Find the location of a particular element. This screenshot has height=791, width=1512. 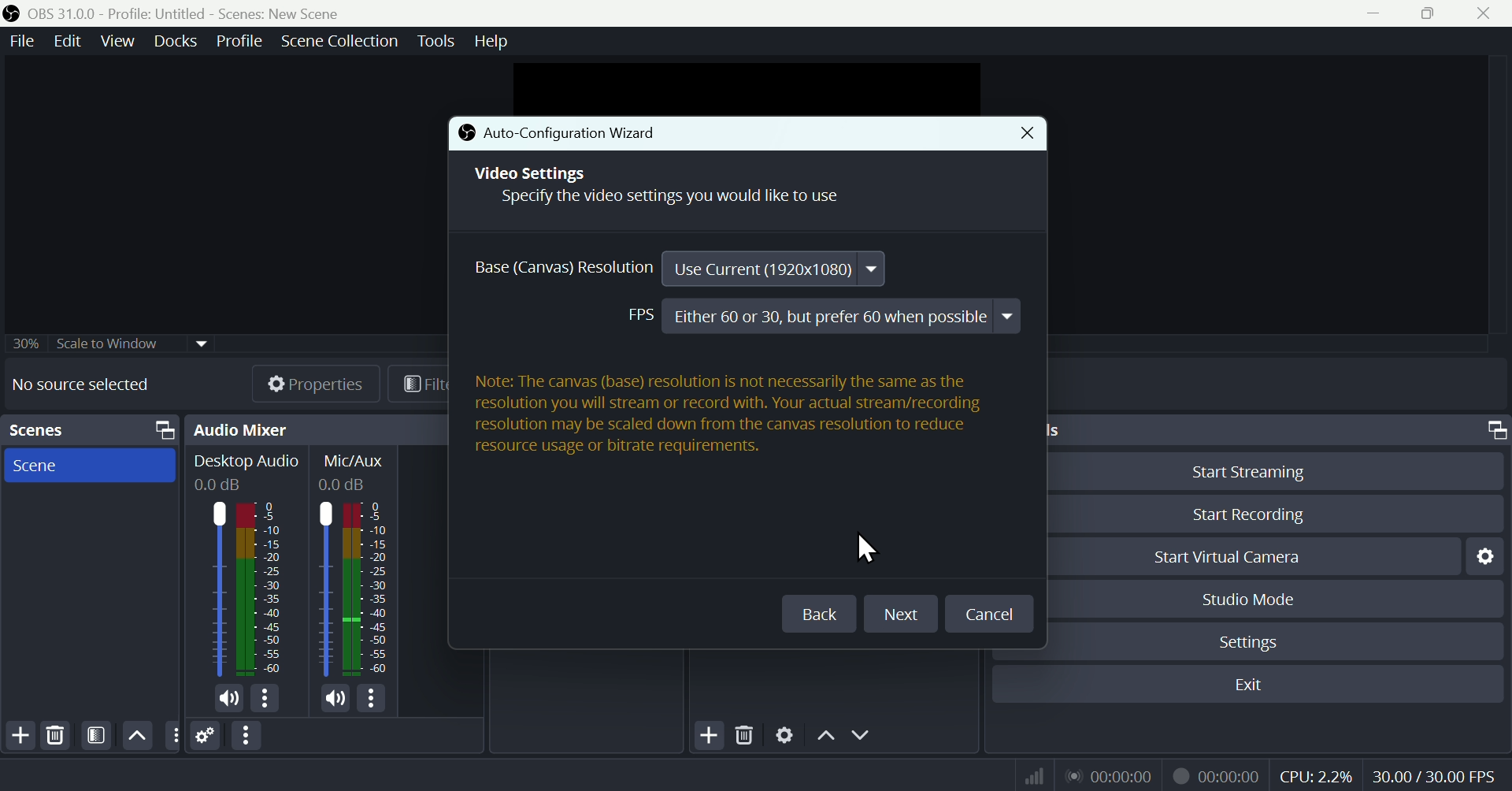

Video recorder is located at coordinates (1215, 774).